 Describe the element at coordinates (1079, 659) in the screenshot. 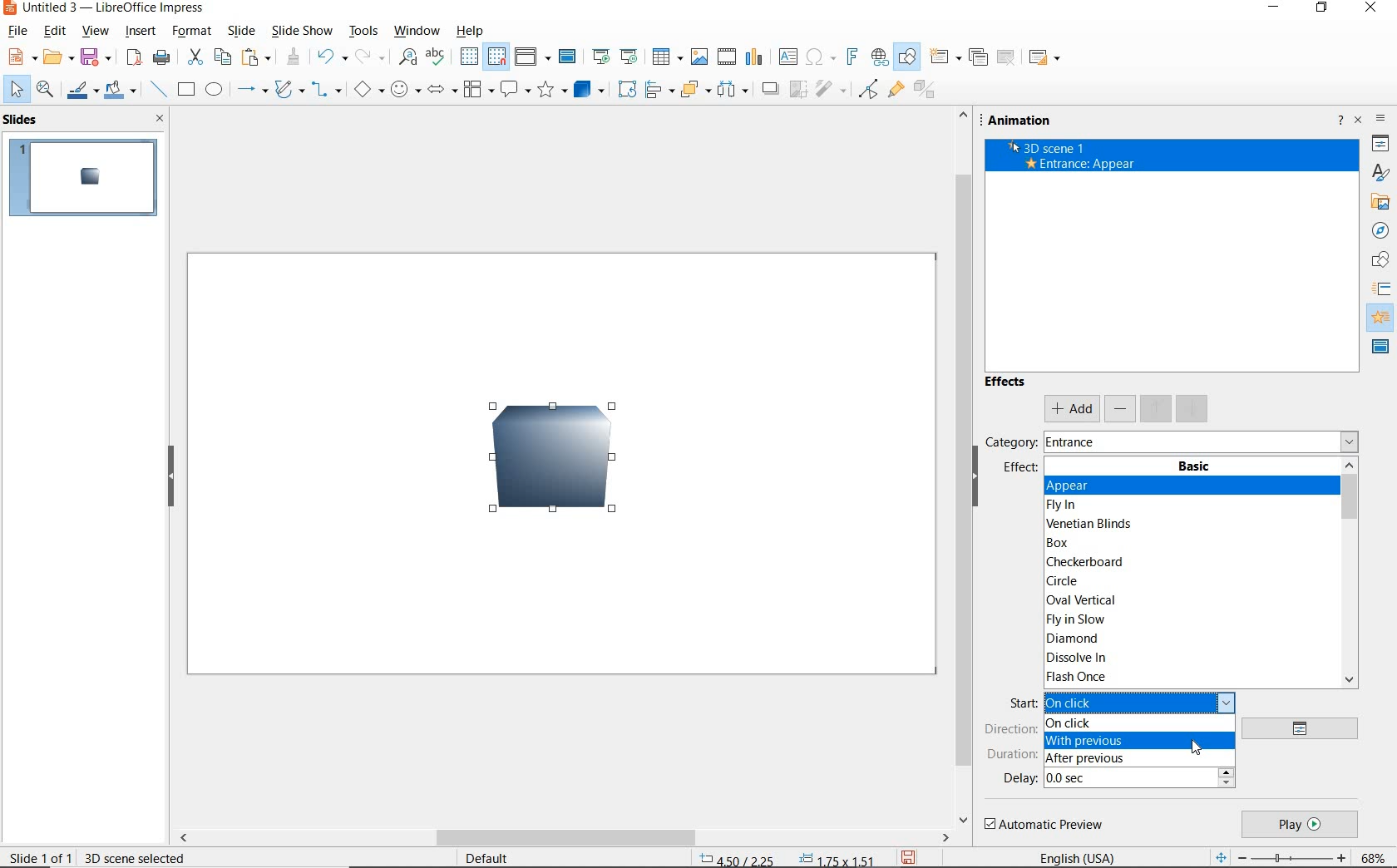

I see `DISSOLVE IN` at that location.